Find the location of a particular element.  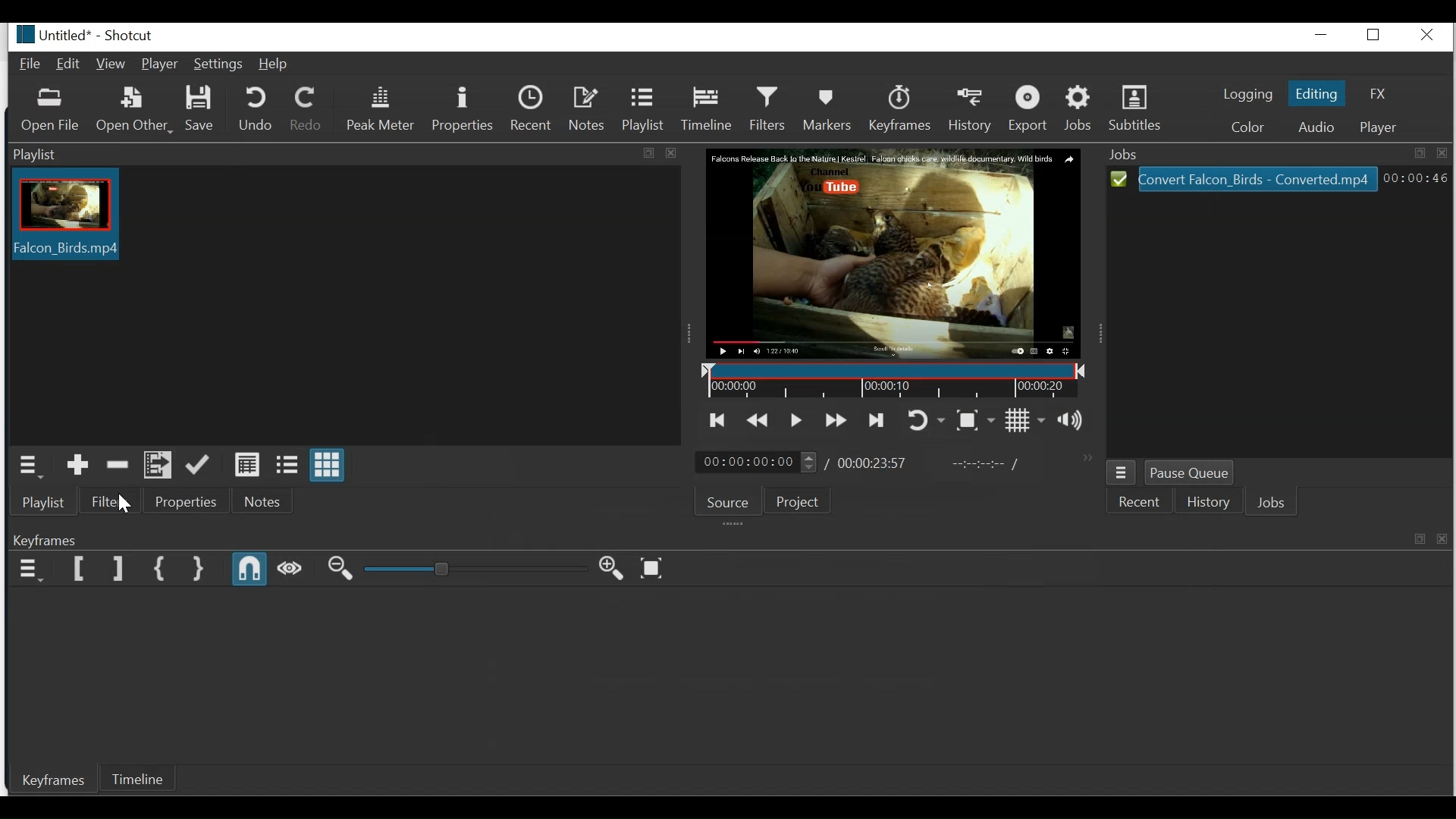

Filters is located at coordinates (767, 107).